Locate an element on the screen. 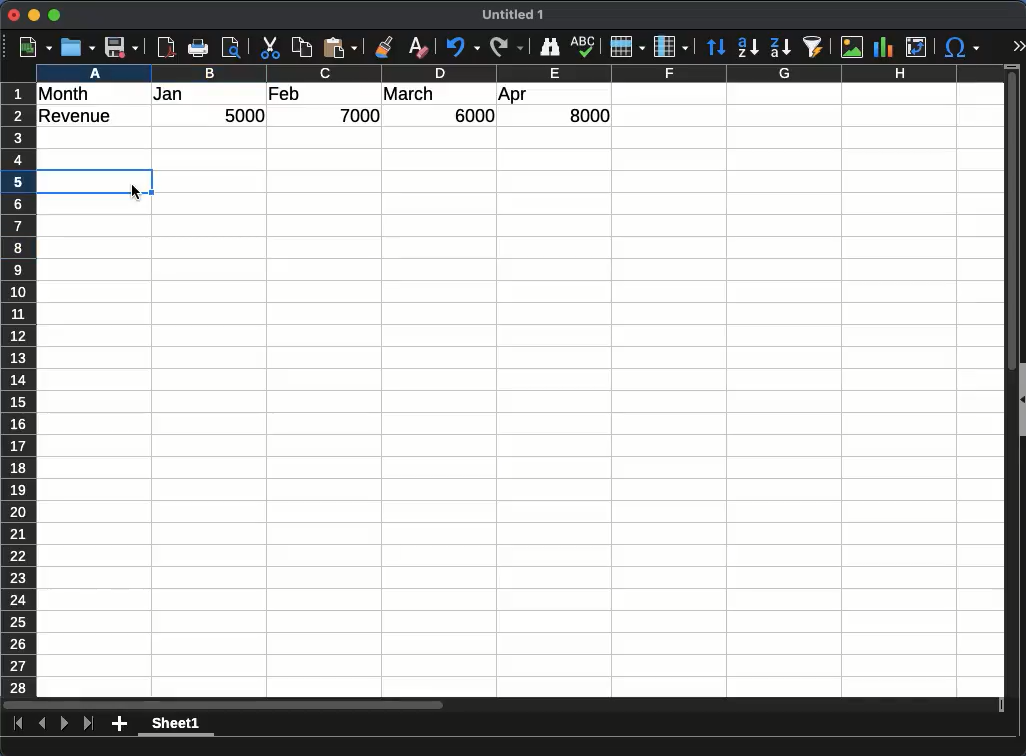 This screenshot has height=756, width=1026. descending is located at coordinates (782, 47).